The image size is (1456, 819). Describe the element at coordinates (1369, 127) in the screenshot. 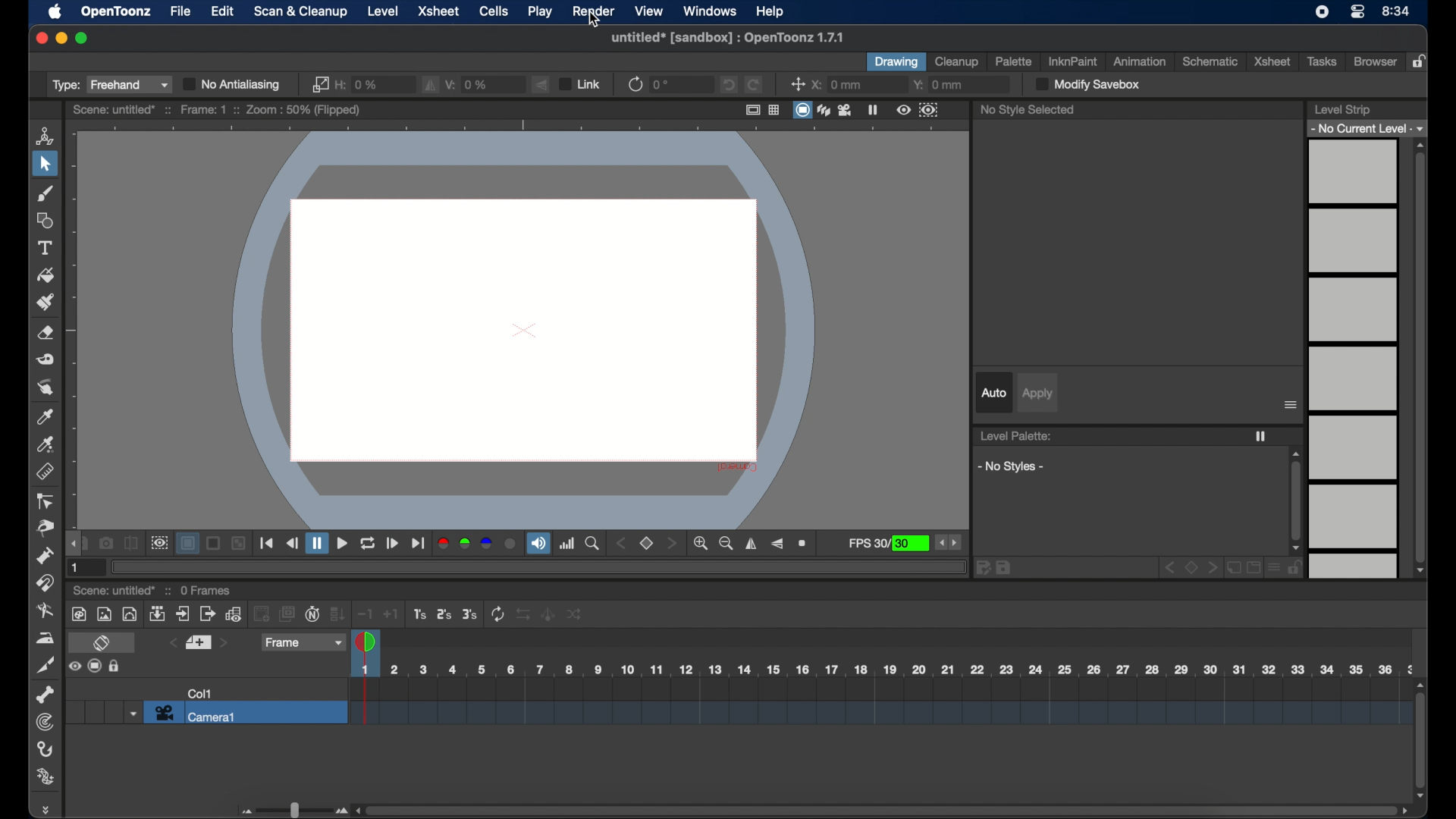

I see `no current level` at that location.